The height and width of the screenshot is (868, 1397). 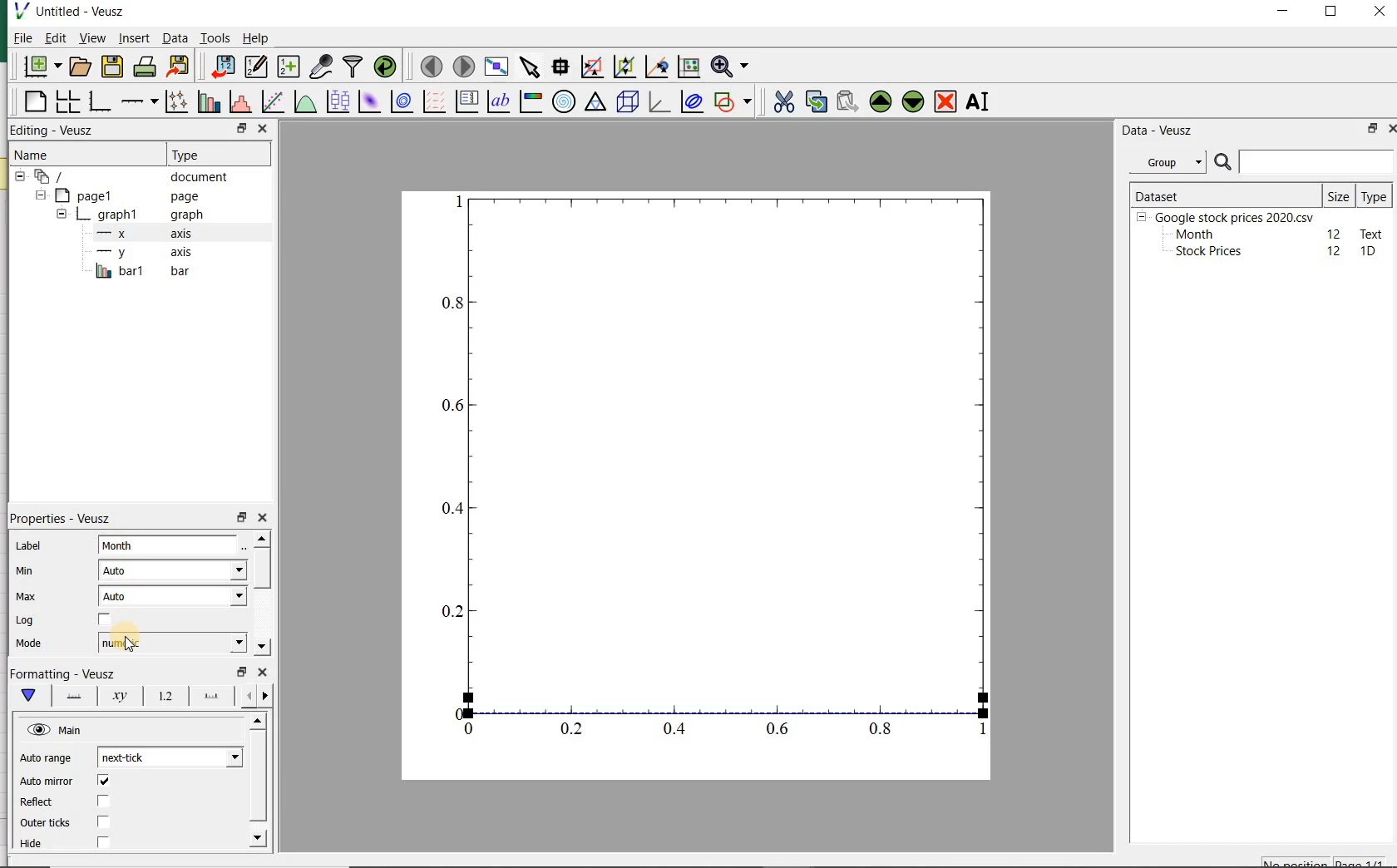 I want to click on select items from the graph or scroll, so click(x=529, y=67).